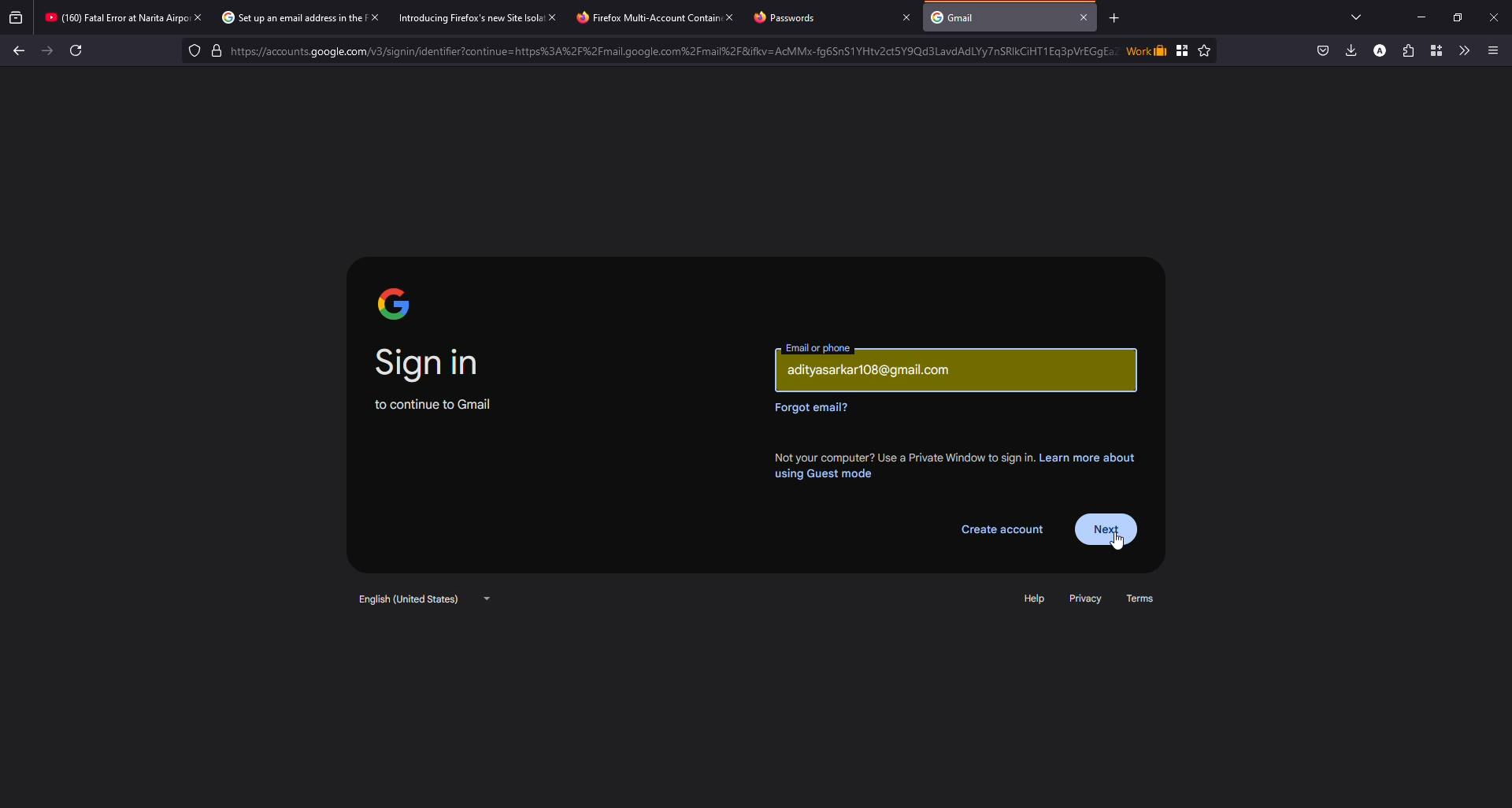 The height and width of the screenshot is (808, 1512). Describe the element at coordinates (191, 51) in the screenshot. I see `Tracking` at that location.